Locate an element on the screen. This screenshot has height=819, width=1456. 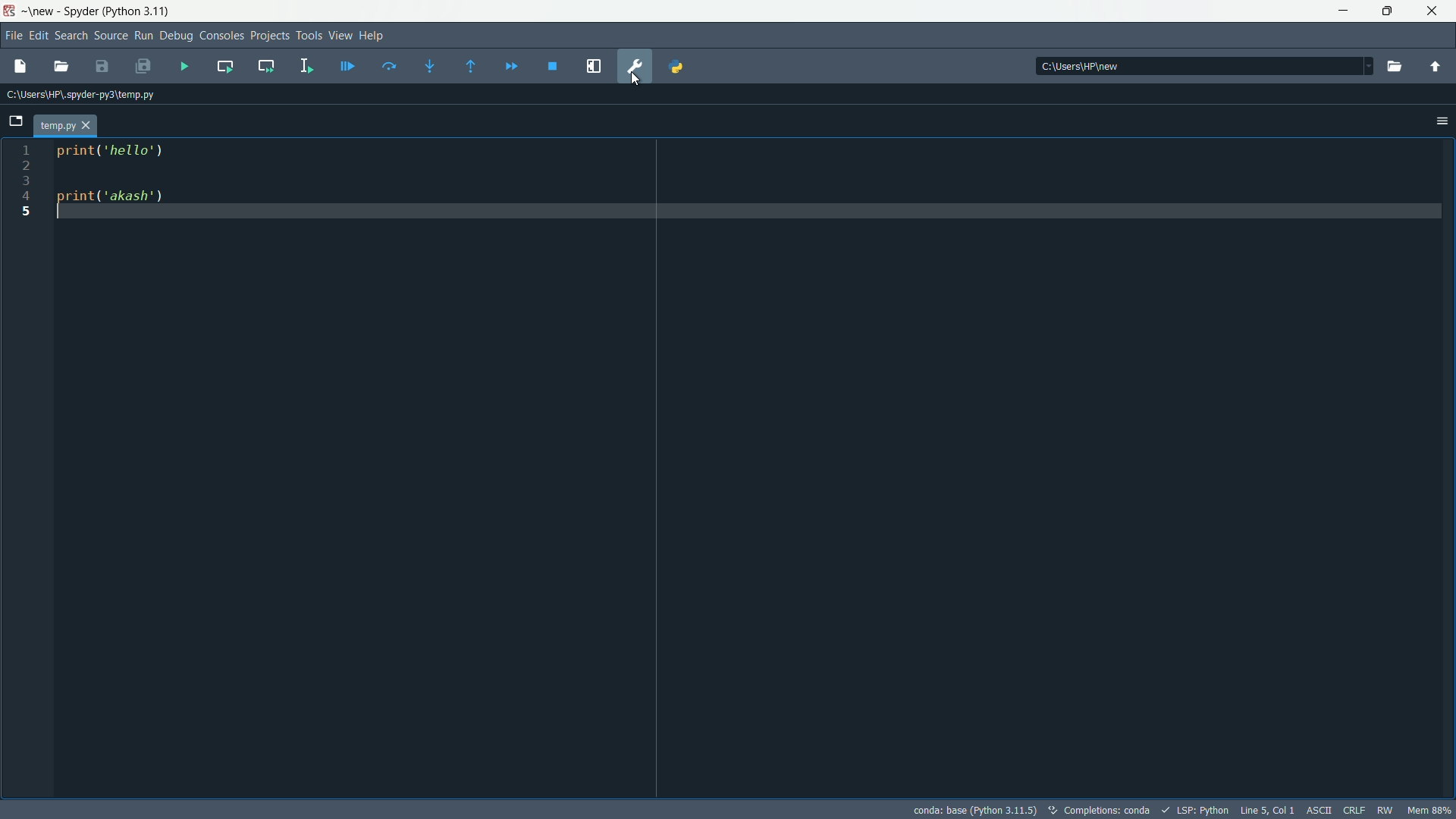
preferences  is located at coordinates (635, 67).